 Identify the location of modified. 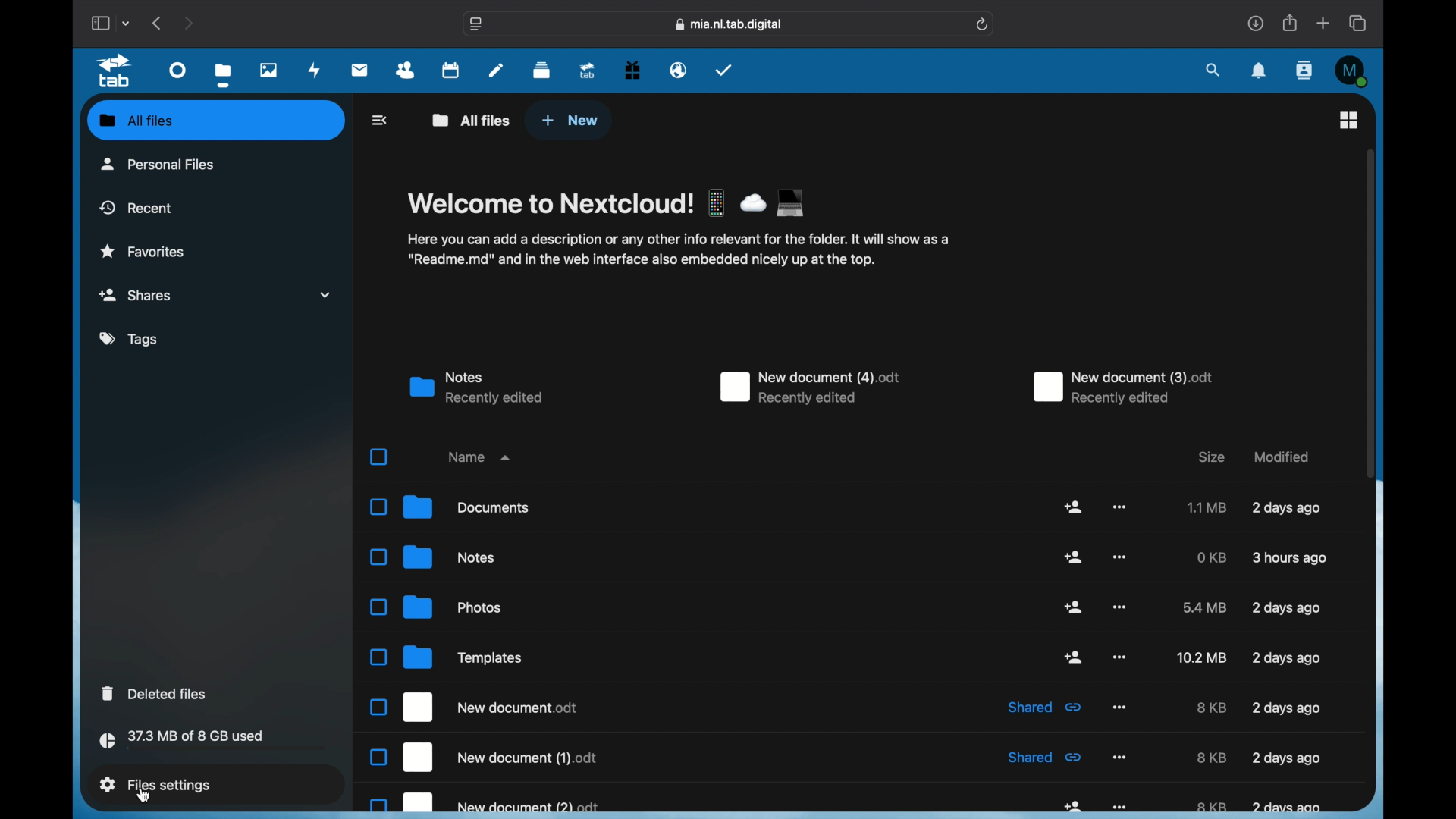
(1288, 509).